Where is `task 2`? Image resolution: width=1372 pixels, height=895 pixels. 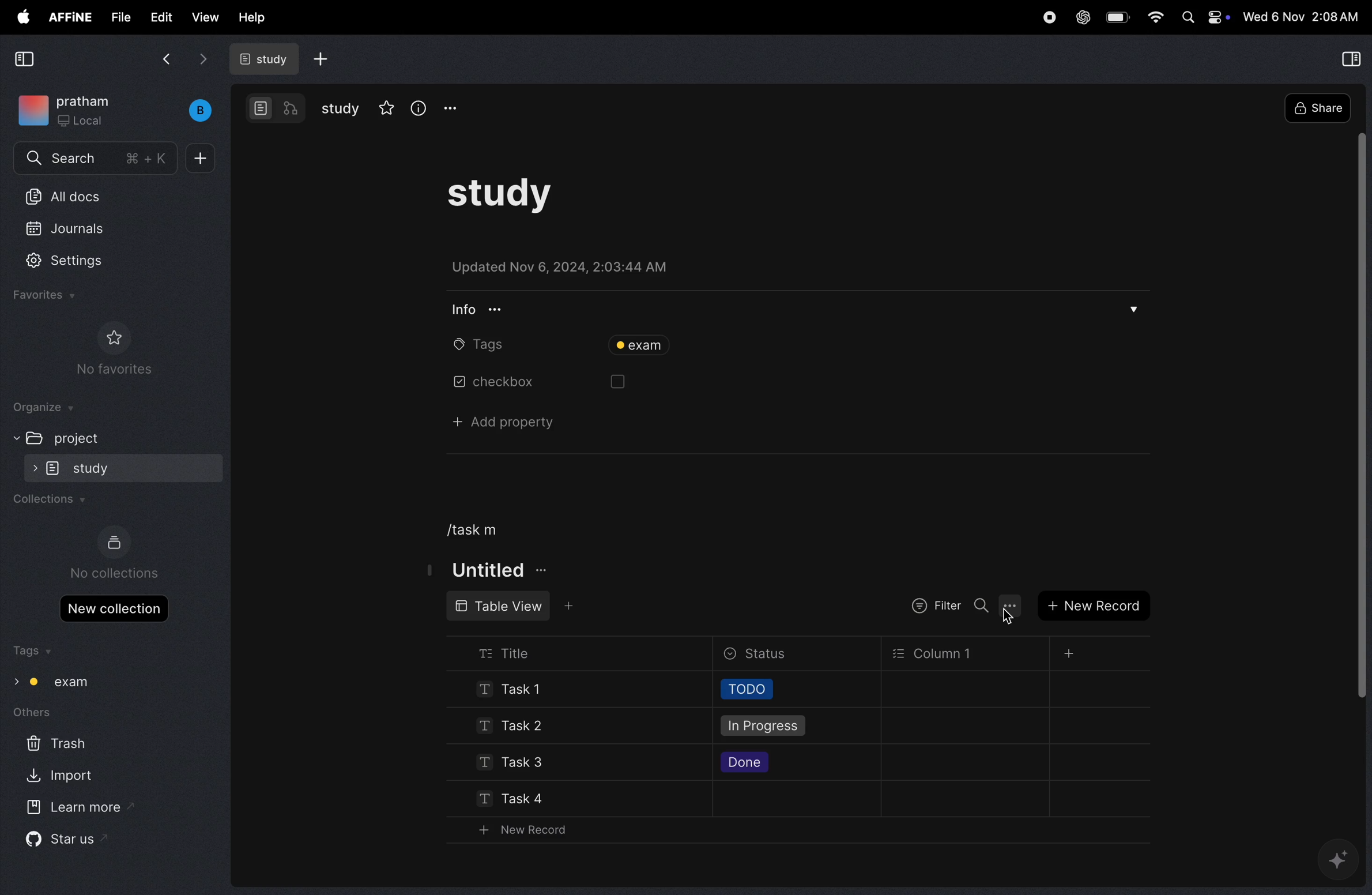 task 2 is located at coordinates (507, 727).